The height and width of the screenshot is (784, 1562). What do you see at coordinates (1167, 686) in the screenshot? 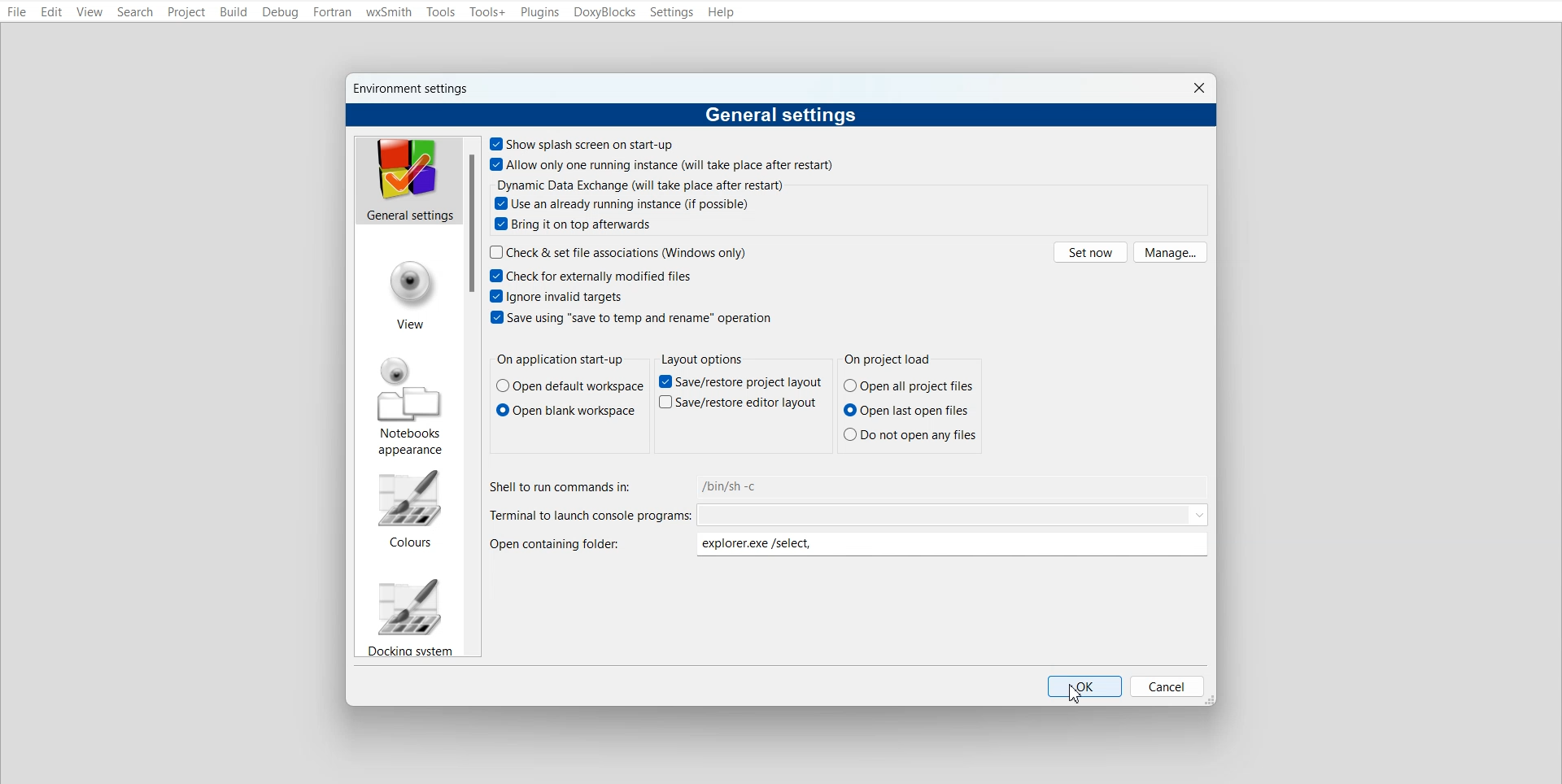
I see `Cancel` at bounding box center [1167, 686].